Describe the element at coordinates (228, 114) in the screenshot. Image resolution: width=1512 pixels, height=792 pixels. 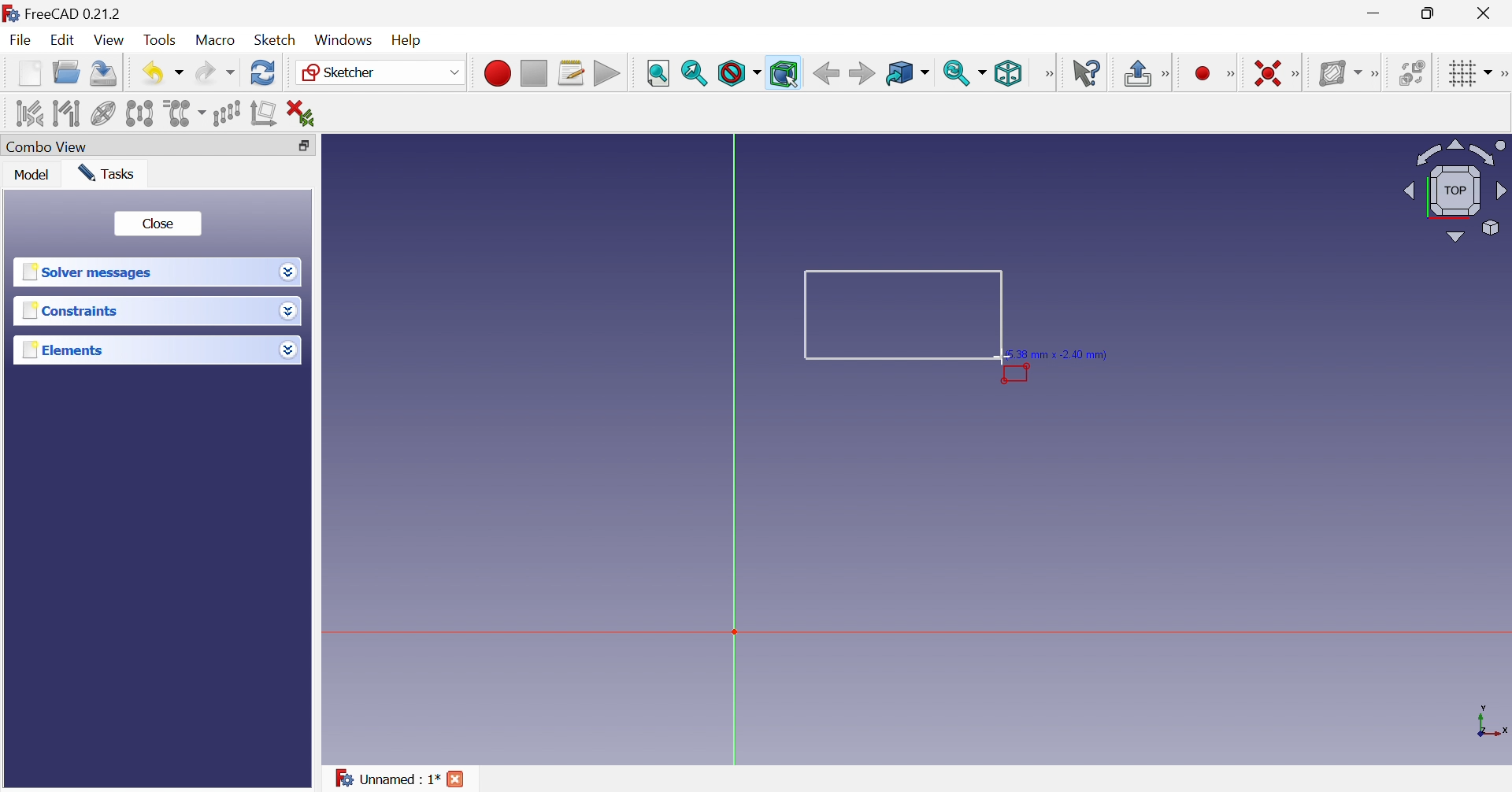
I see `Rectangular array` at that location.